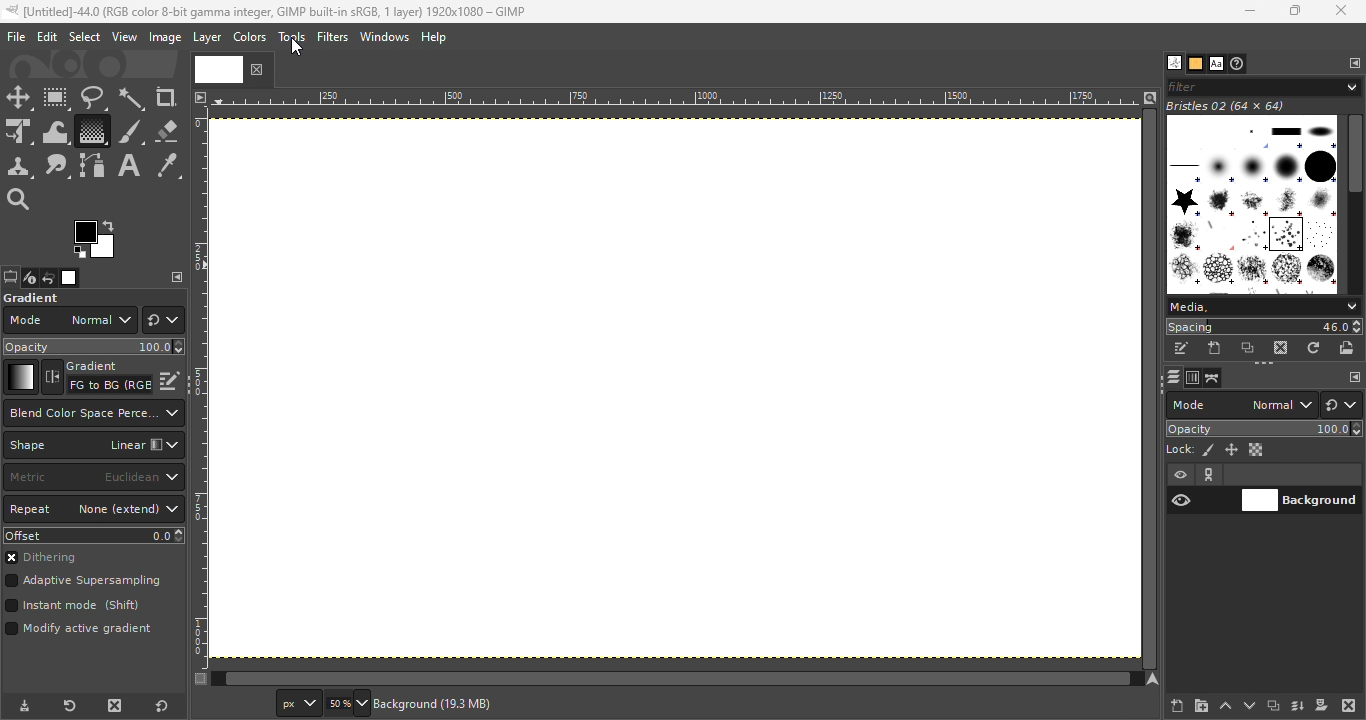  I want to click on Create a new layer group and add it to the image, so click(1201, 706).